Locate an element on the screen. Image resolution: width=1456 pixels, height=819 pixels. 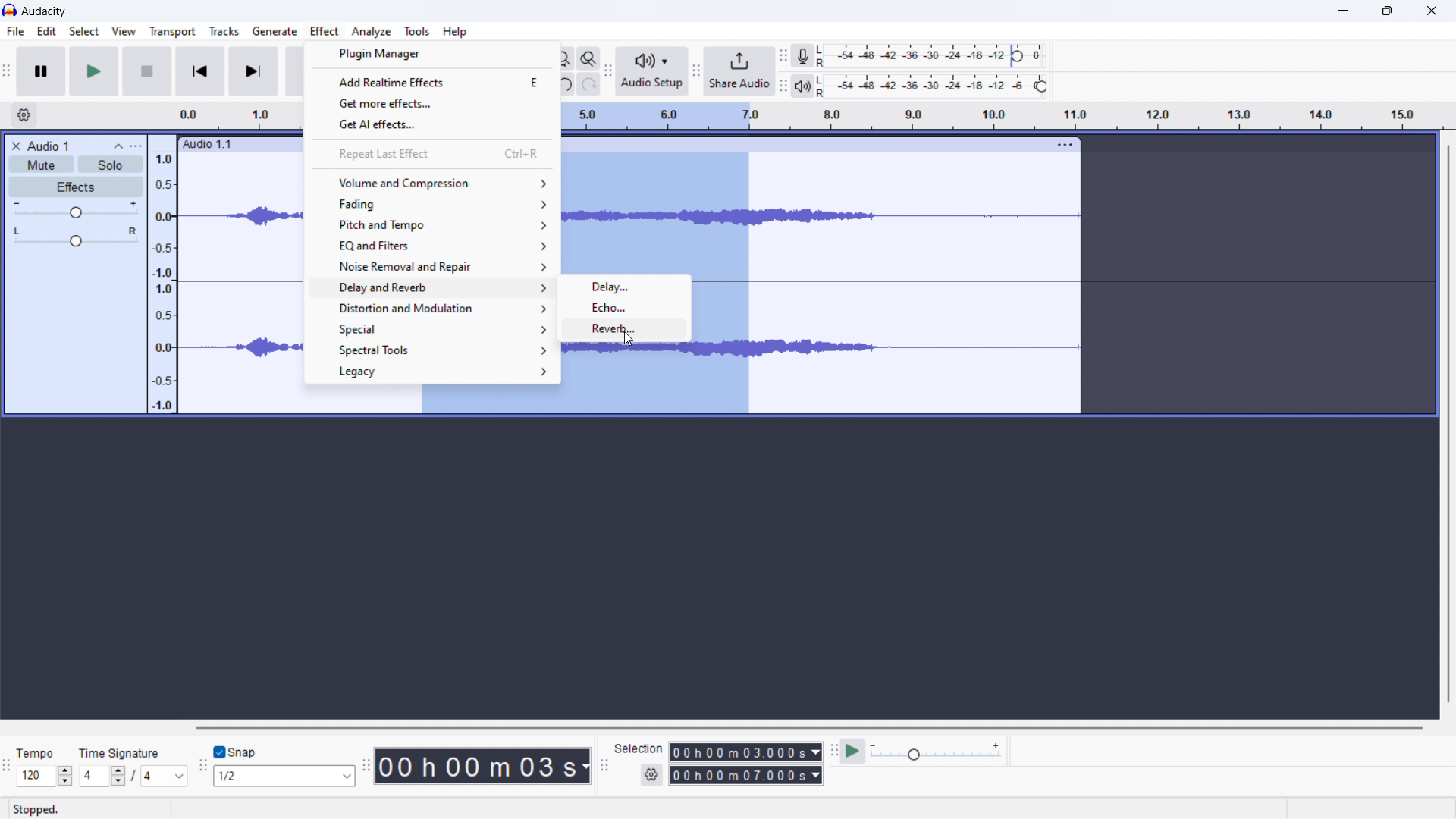
1/2 is located at coordinates (286, 777).